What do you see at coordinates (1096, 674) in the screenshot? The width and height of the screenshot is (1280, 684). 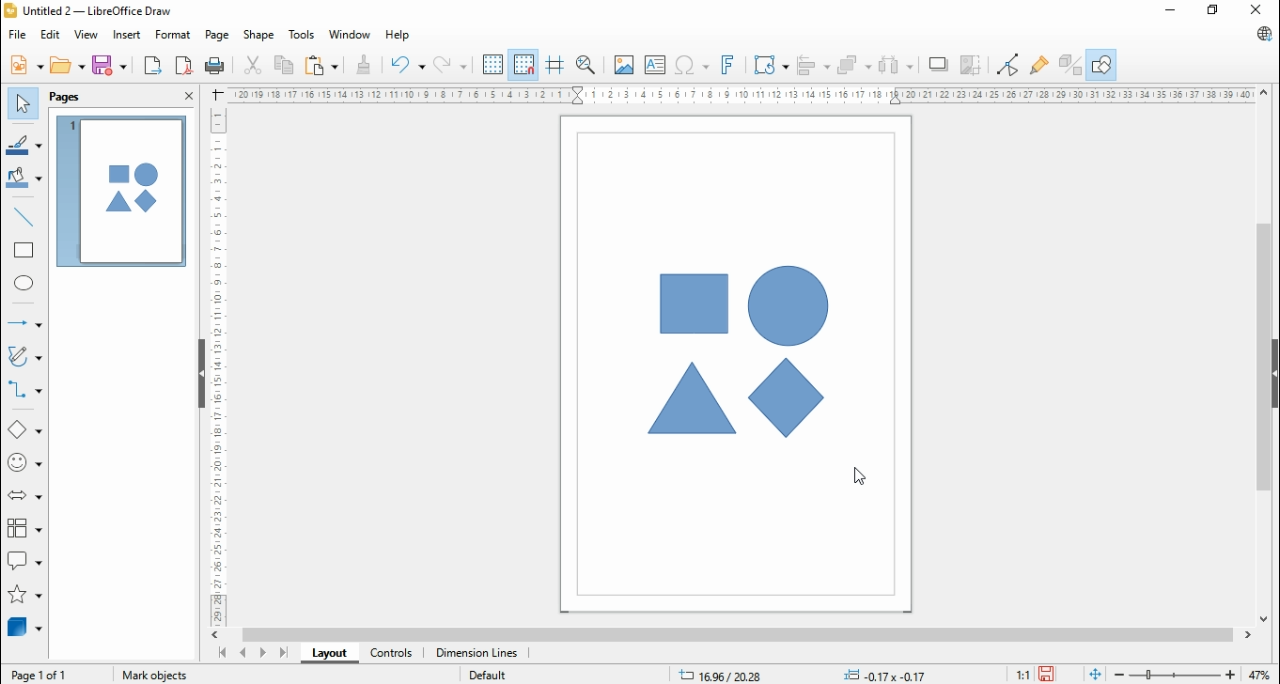 I see `fit page to window` at bounding box center [1096, 674].